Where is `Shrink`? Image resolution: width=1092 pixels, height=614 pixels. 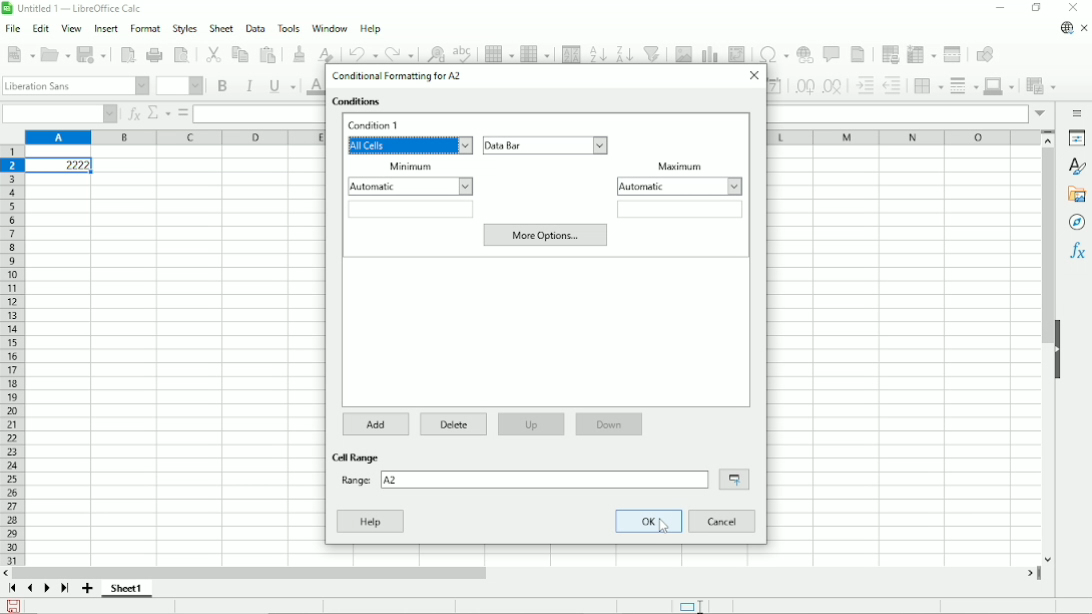 Shrink is located at coordinates (734, 480).